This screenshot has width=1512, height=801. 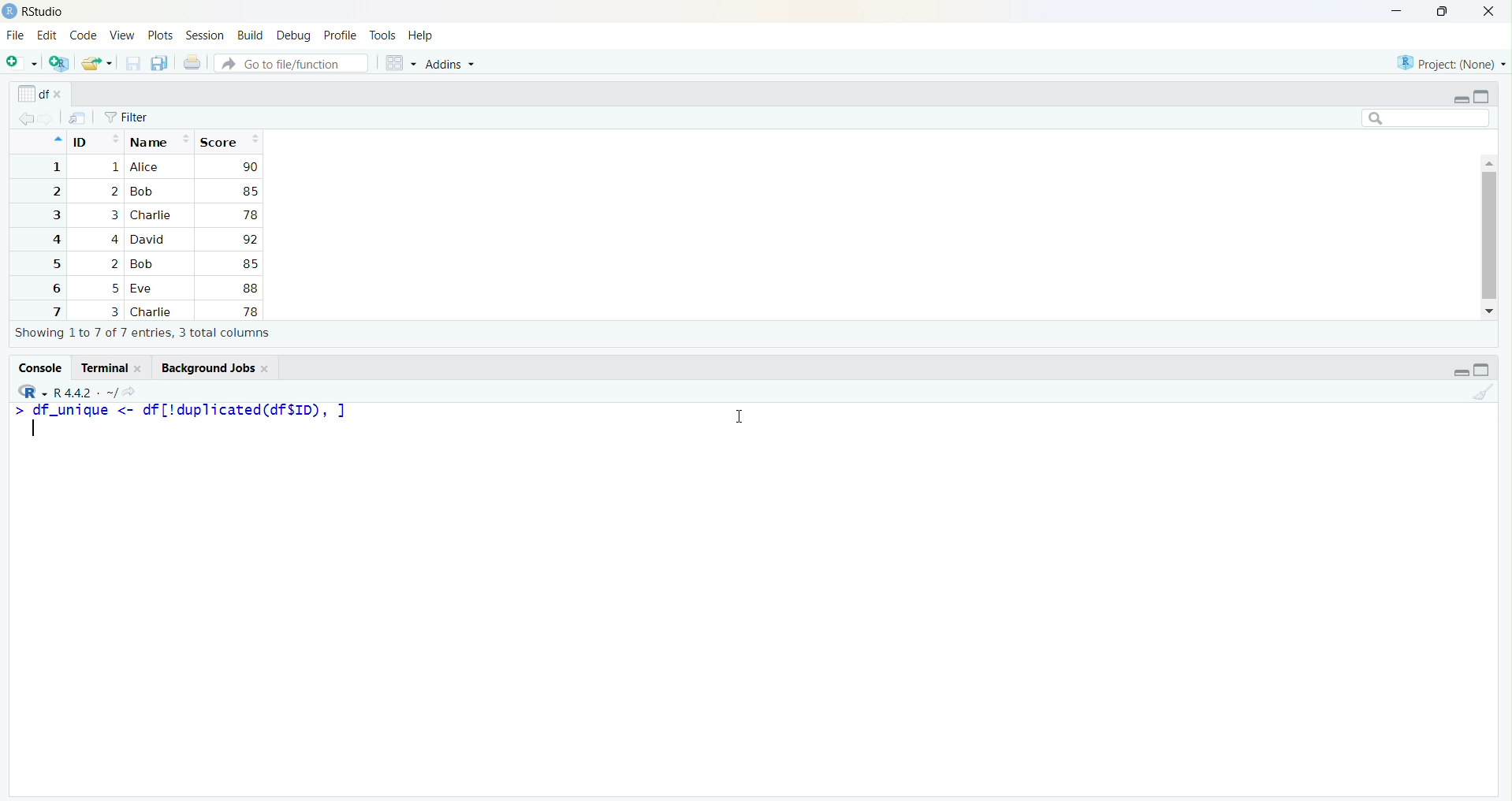 I want to click on scroll up, so click(x=1488, y=162).